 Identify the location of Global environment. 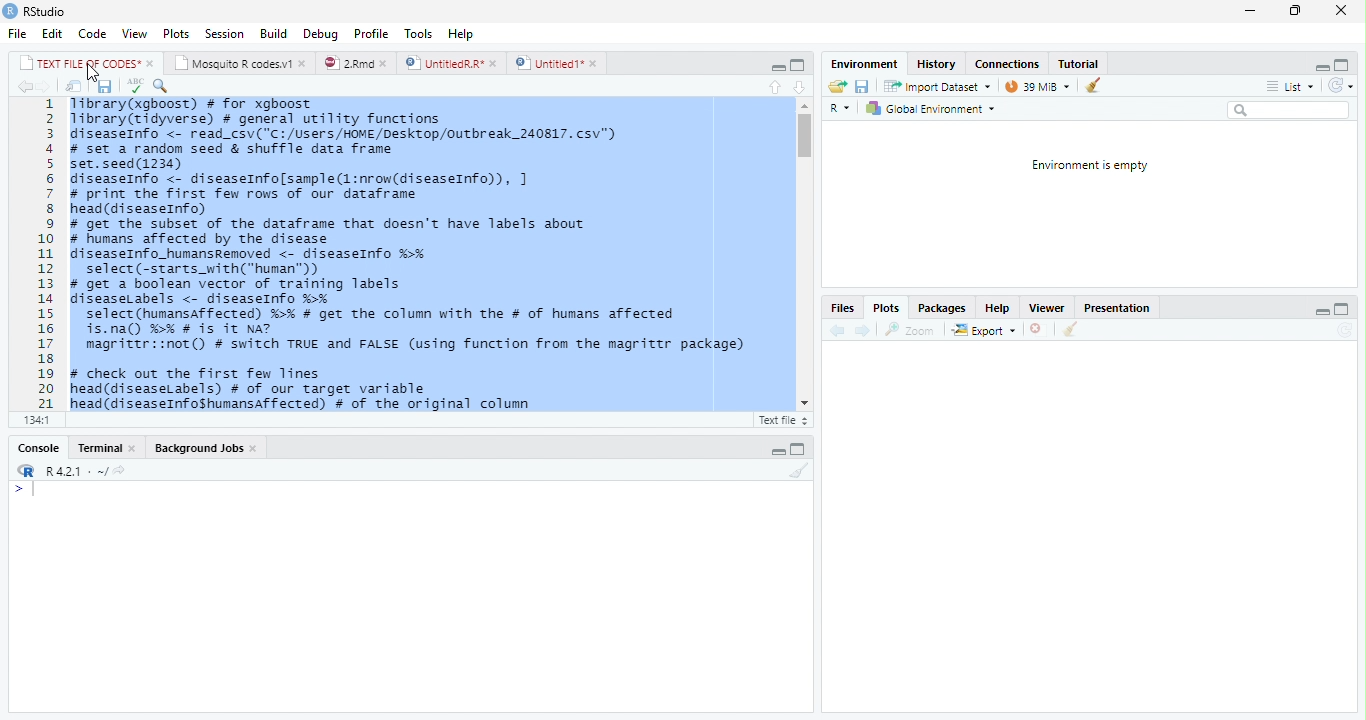
(930, 109).